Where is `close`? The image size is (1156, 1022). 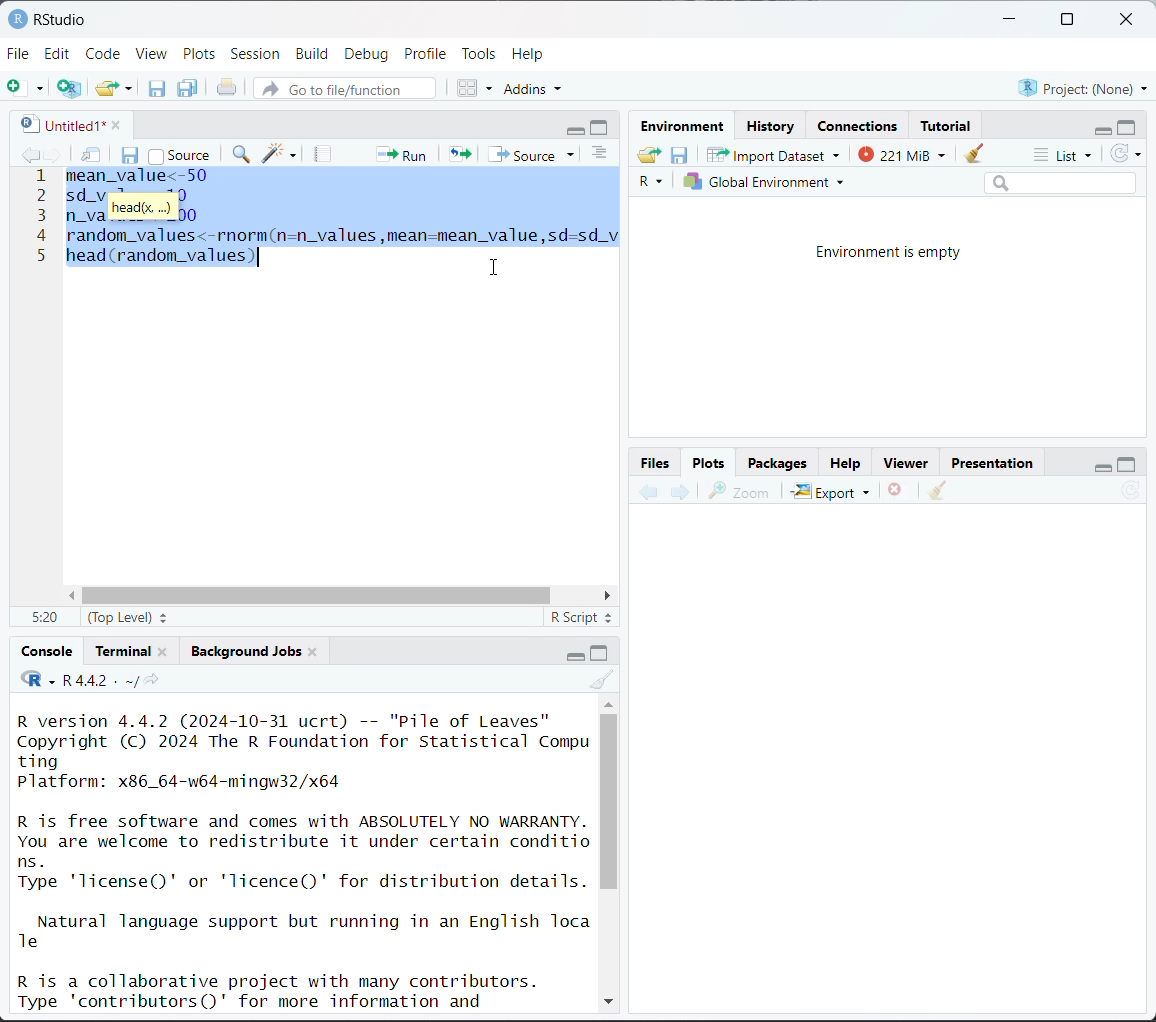 close is located at coordinates (163, 650).